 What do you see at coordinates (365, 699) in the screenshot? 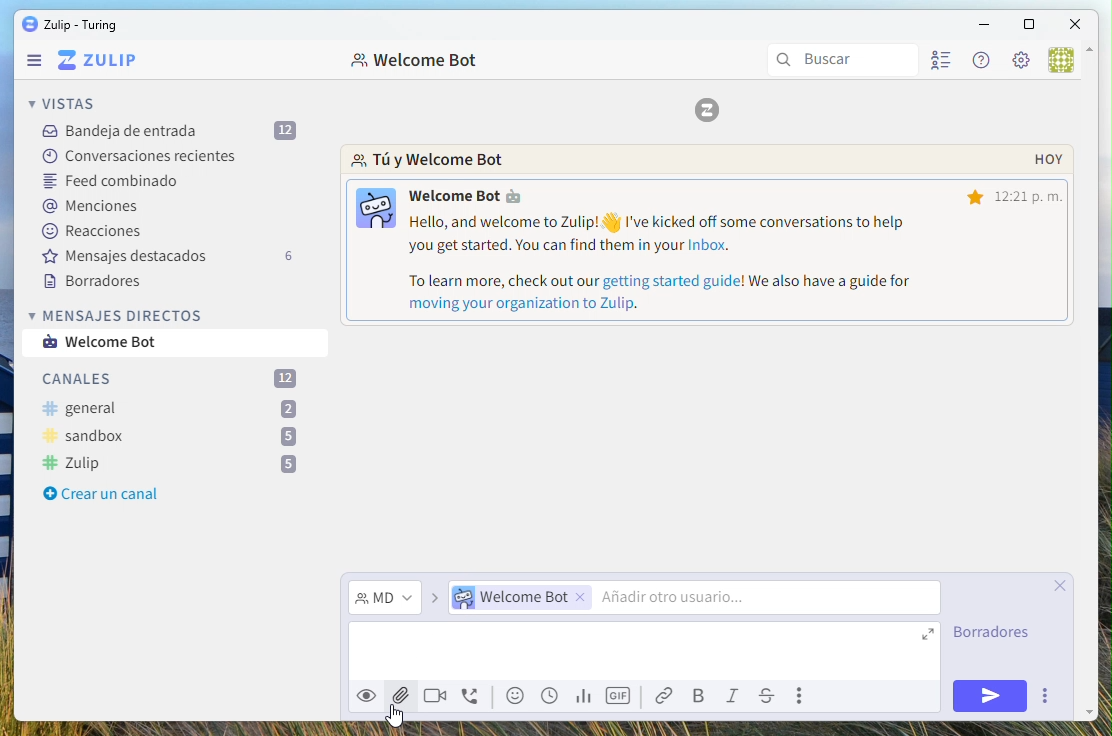
I see `view` at bounding box center [365, 699].